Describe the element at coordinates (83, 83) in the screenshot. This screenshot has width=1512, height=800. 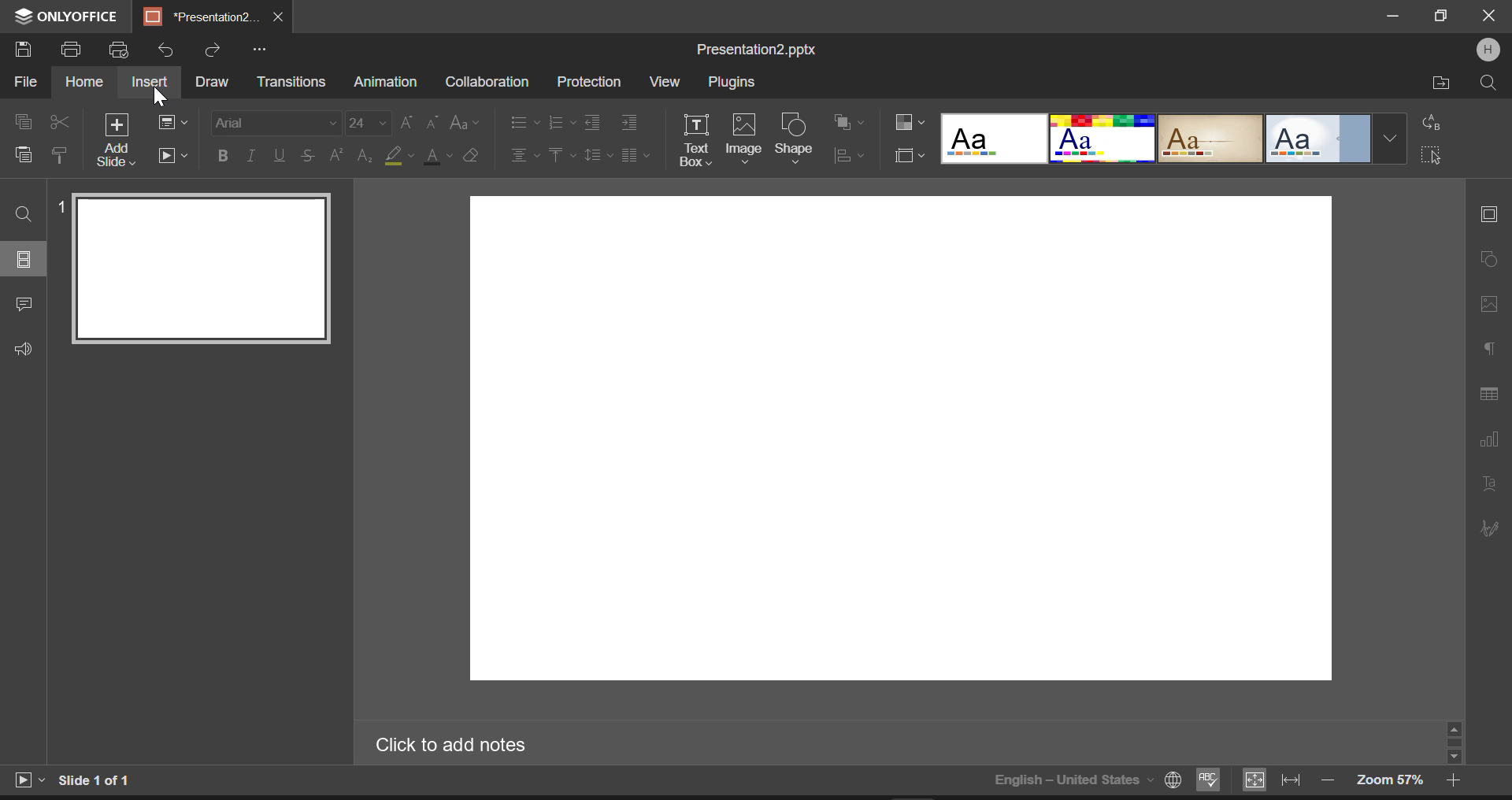
I see `Home Menu` at that location.